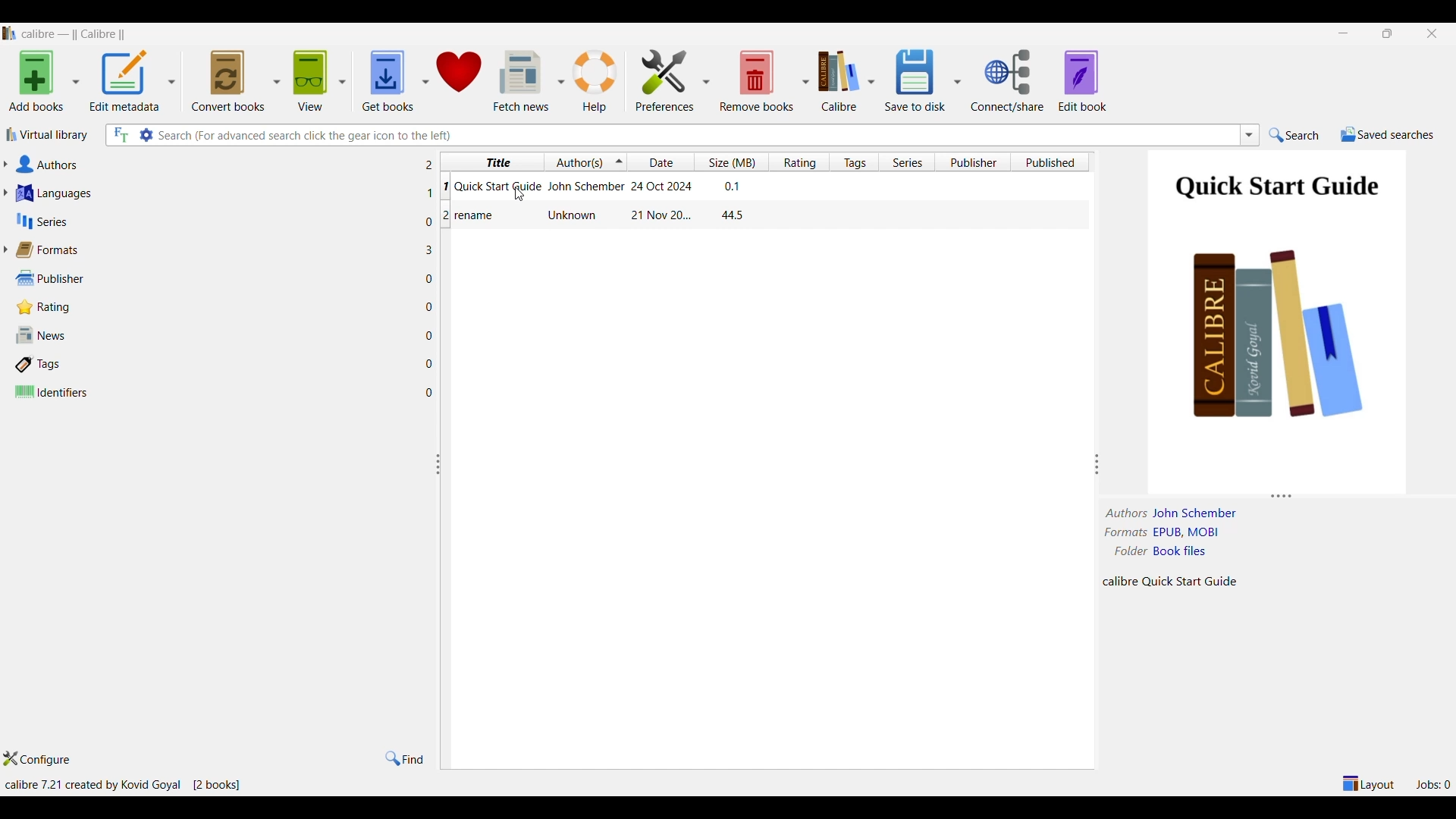 The image size is (1456, 819). Describe the element at coordinates (1188, 532) in the screenshot. I see `File formats` at that location.